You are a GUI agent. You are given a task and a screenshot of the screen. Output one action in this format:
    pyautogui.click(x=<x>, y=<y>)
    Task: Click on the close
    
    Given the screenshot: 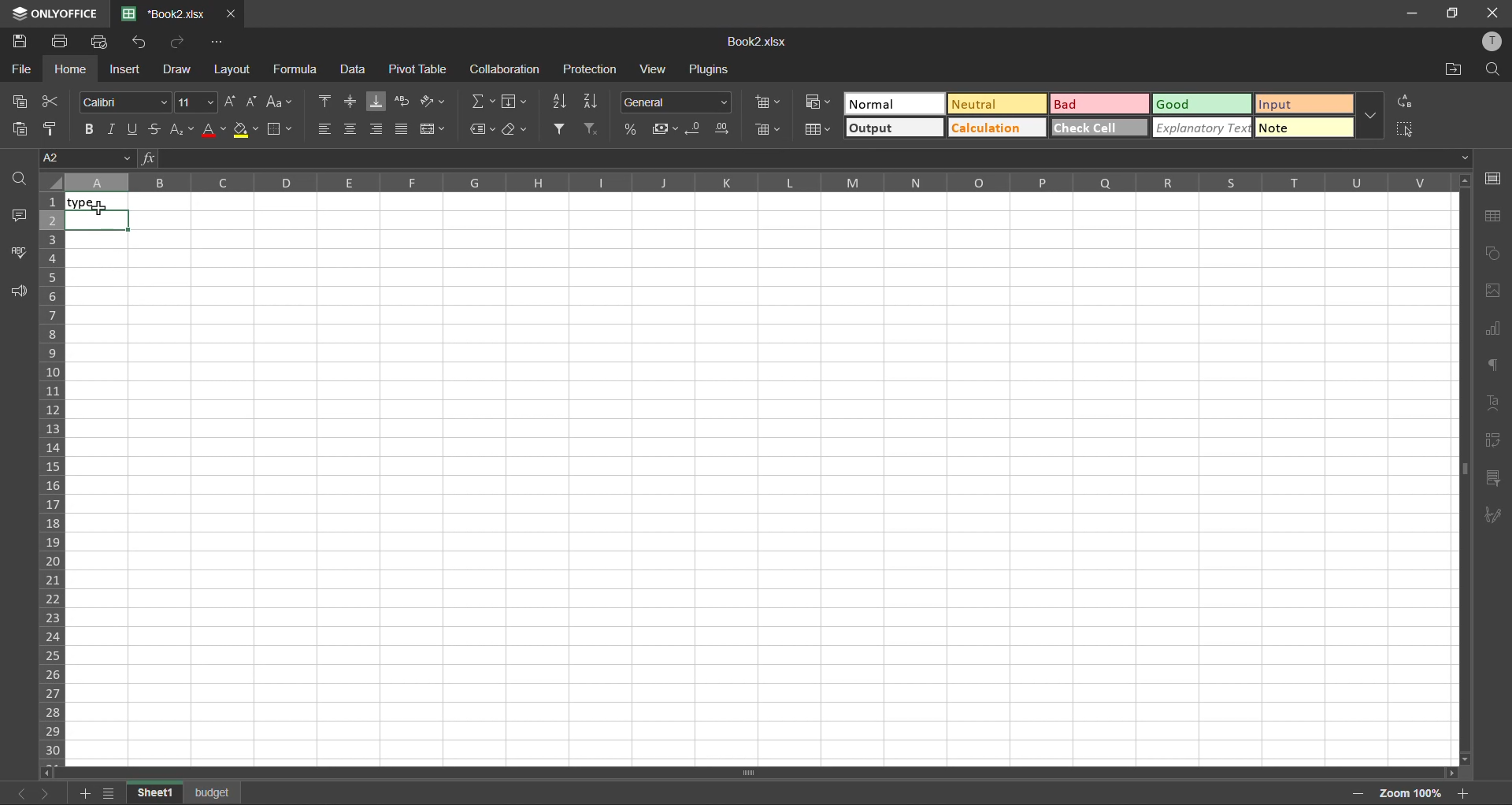 What is the action you would take?
    pyautogui.click(x=1492, y=12)
    